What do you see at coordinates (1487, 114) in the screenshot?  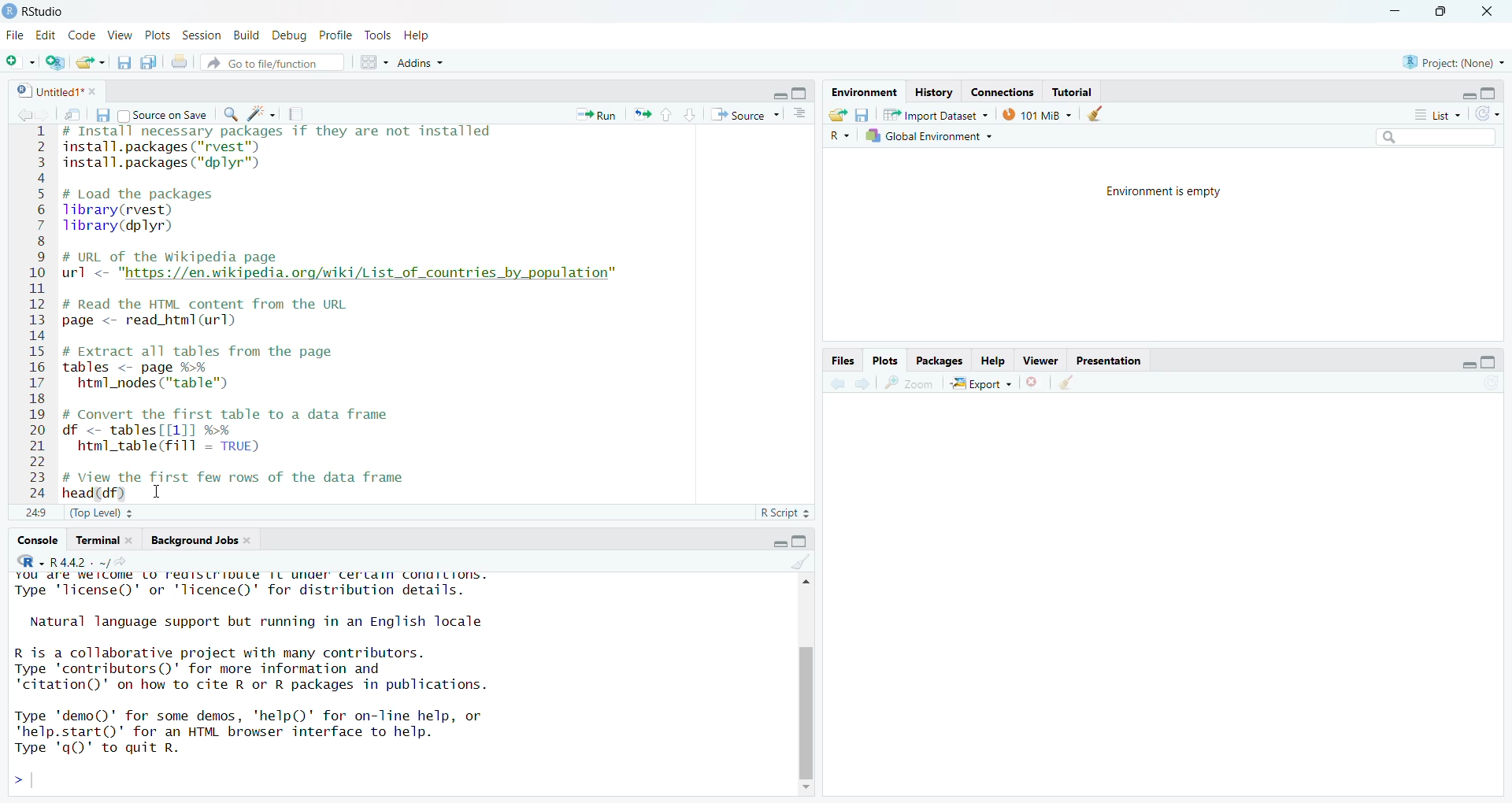 I see `refresh` at bounding box center [1487, 114].